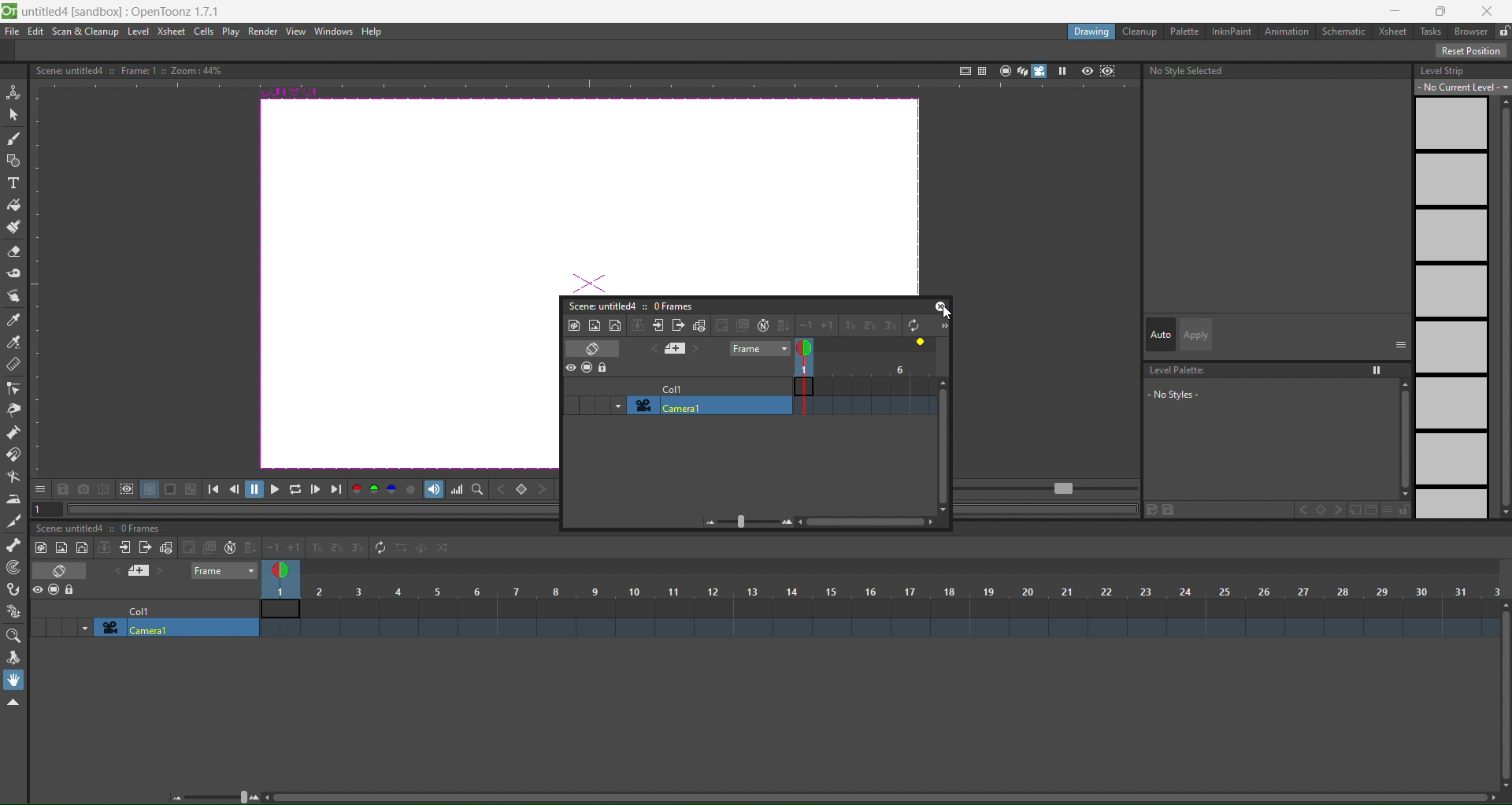  What do you see at coordinates (14, 343) in the screenshot?
I see `rbg picker tool` at bounding box center [14, 343].